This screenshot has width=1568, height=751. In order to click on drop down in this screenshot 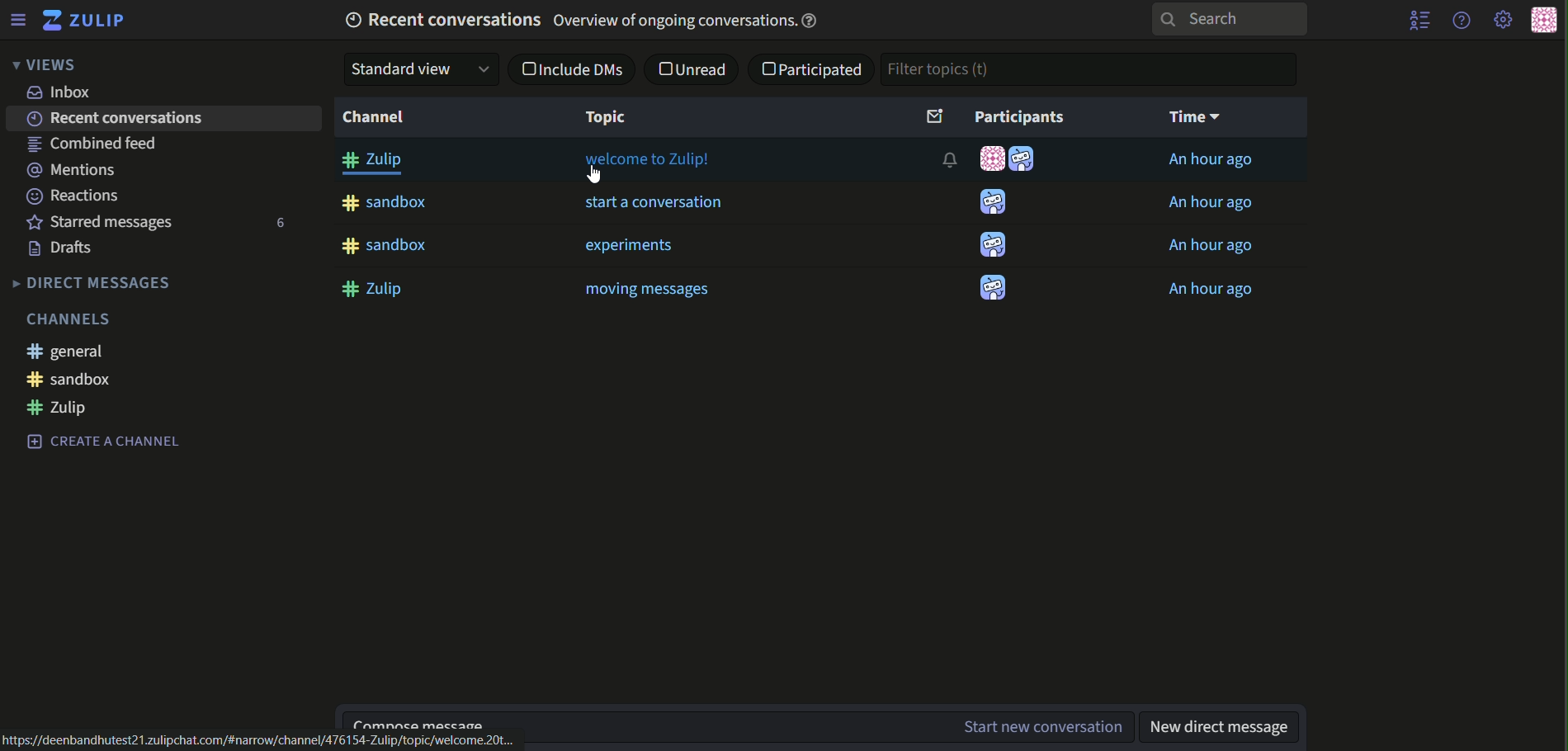, I will do `click(420, 68)`.